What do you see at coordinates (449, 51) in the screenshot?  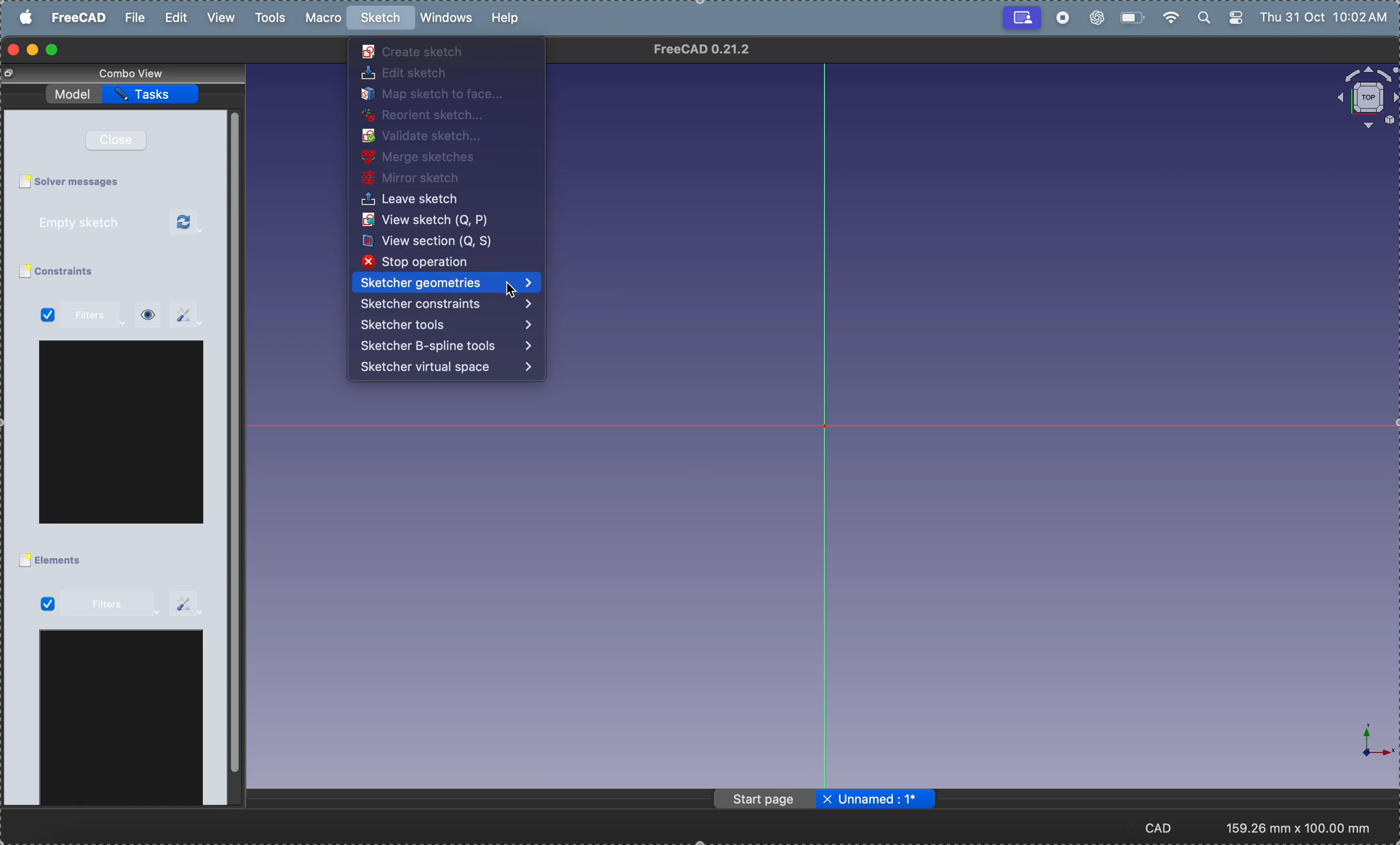 I see `create sketch` at bounding box center [449, 51].